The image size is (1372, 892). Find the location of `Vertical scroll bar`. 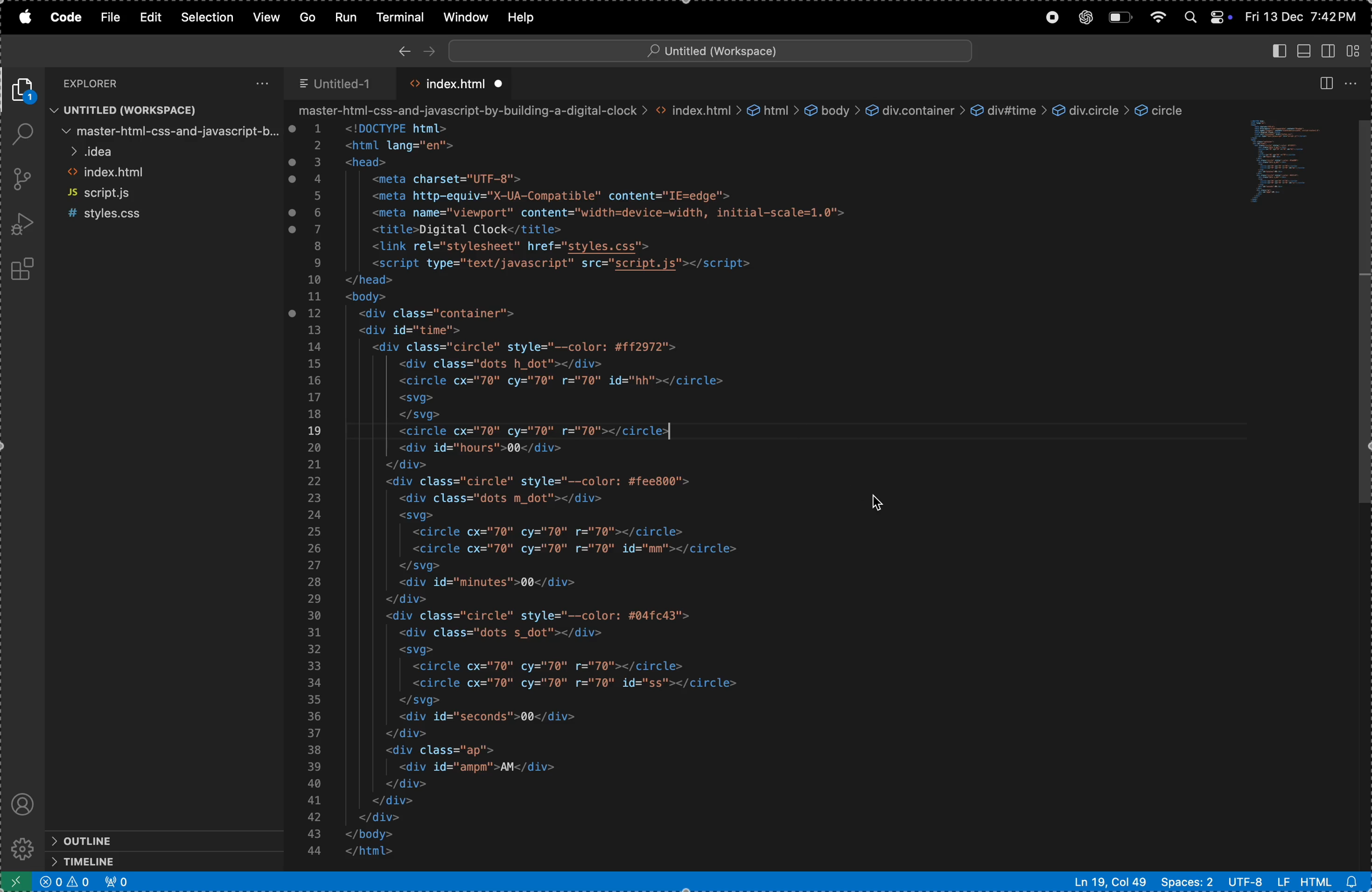

Vertical scroll bar is located at coordinates (1363, 316).